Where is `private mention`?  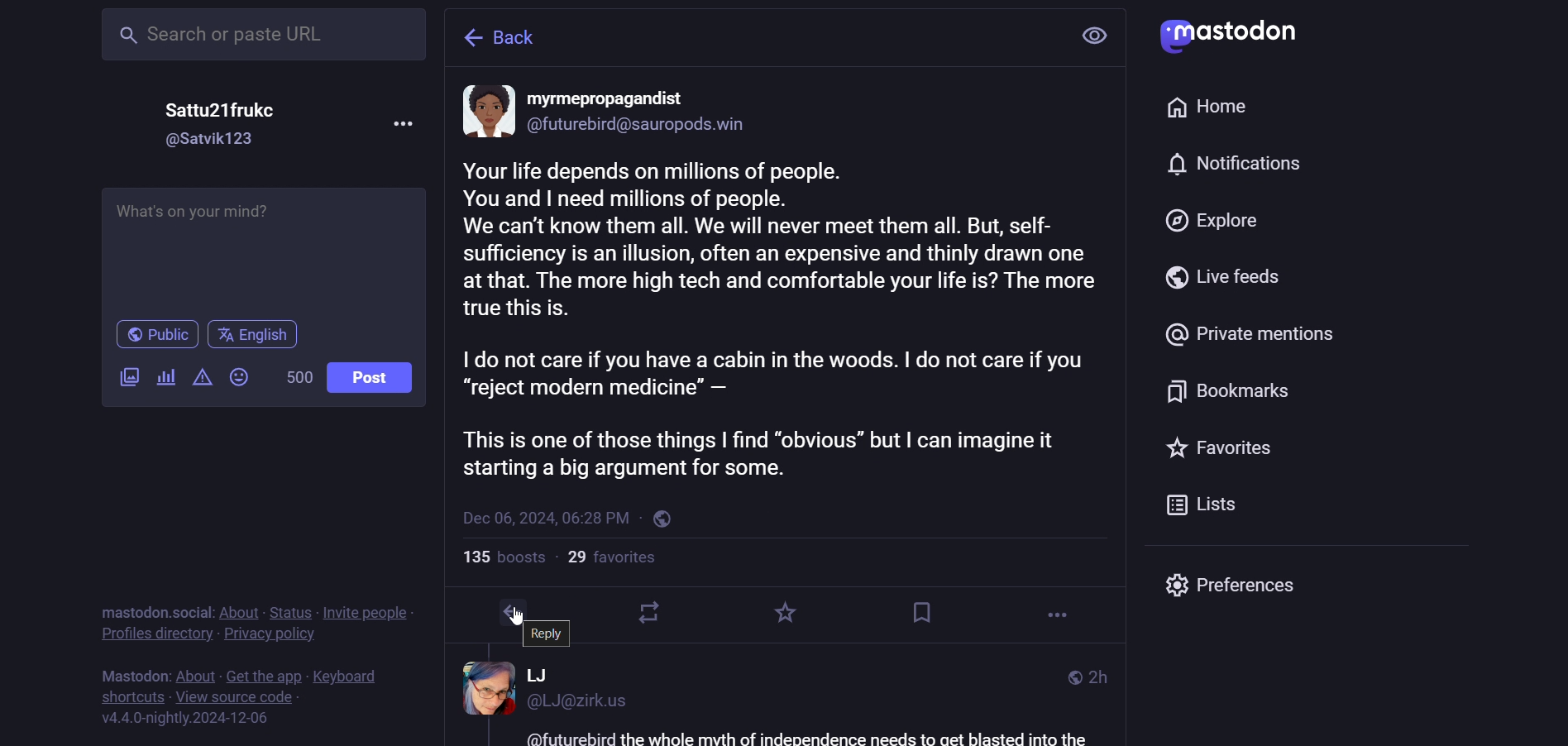 private mention is located at coordinates (1246, 336).